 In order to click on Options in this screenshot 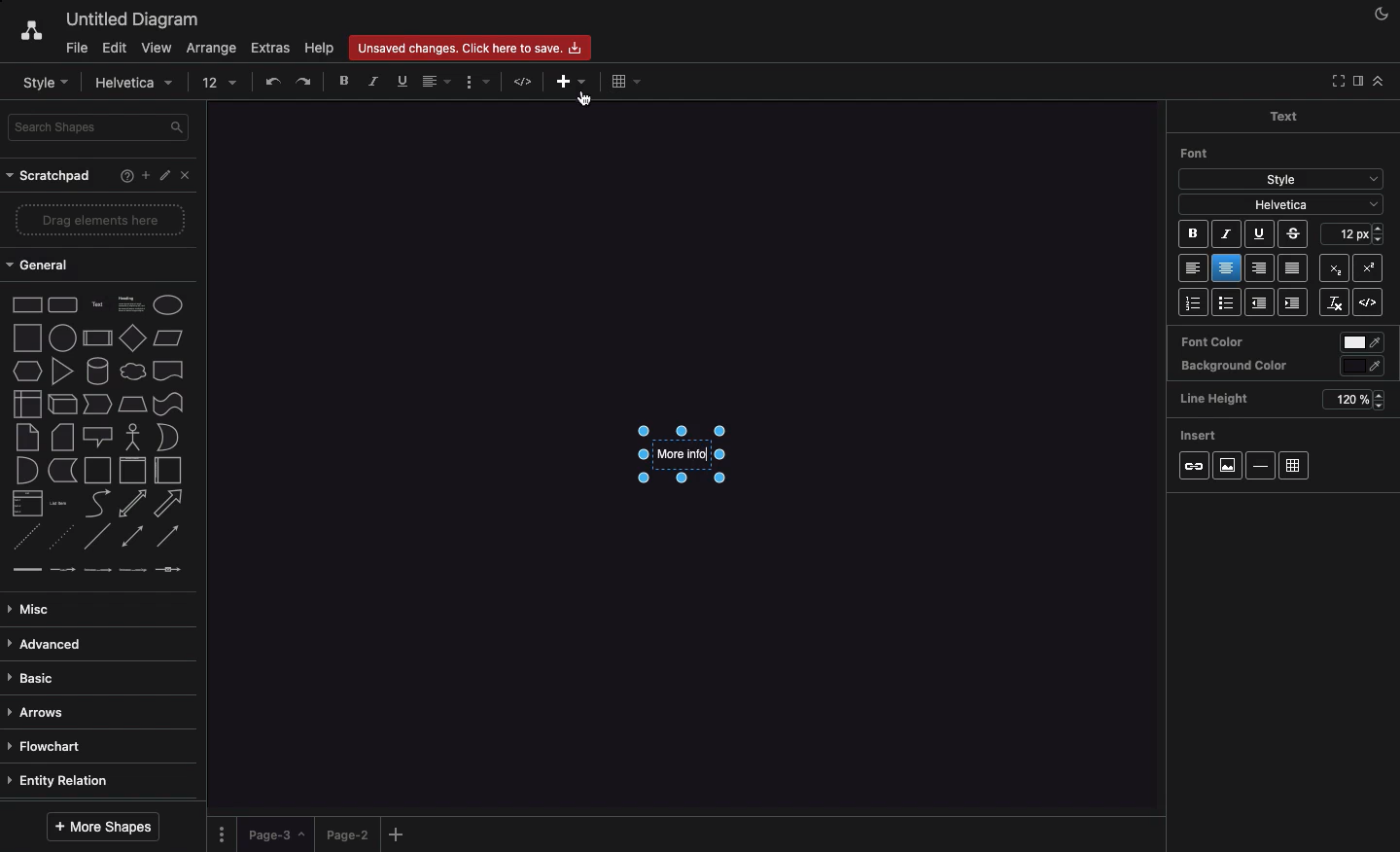, I will do `click(224, 834)`.